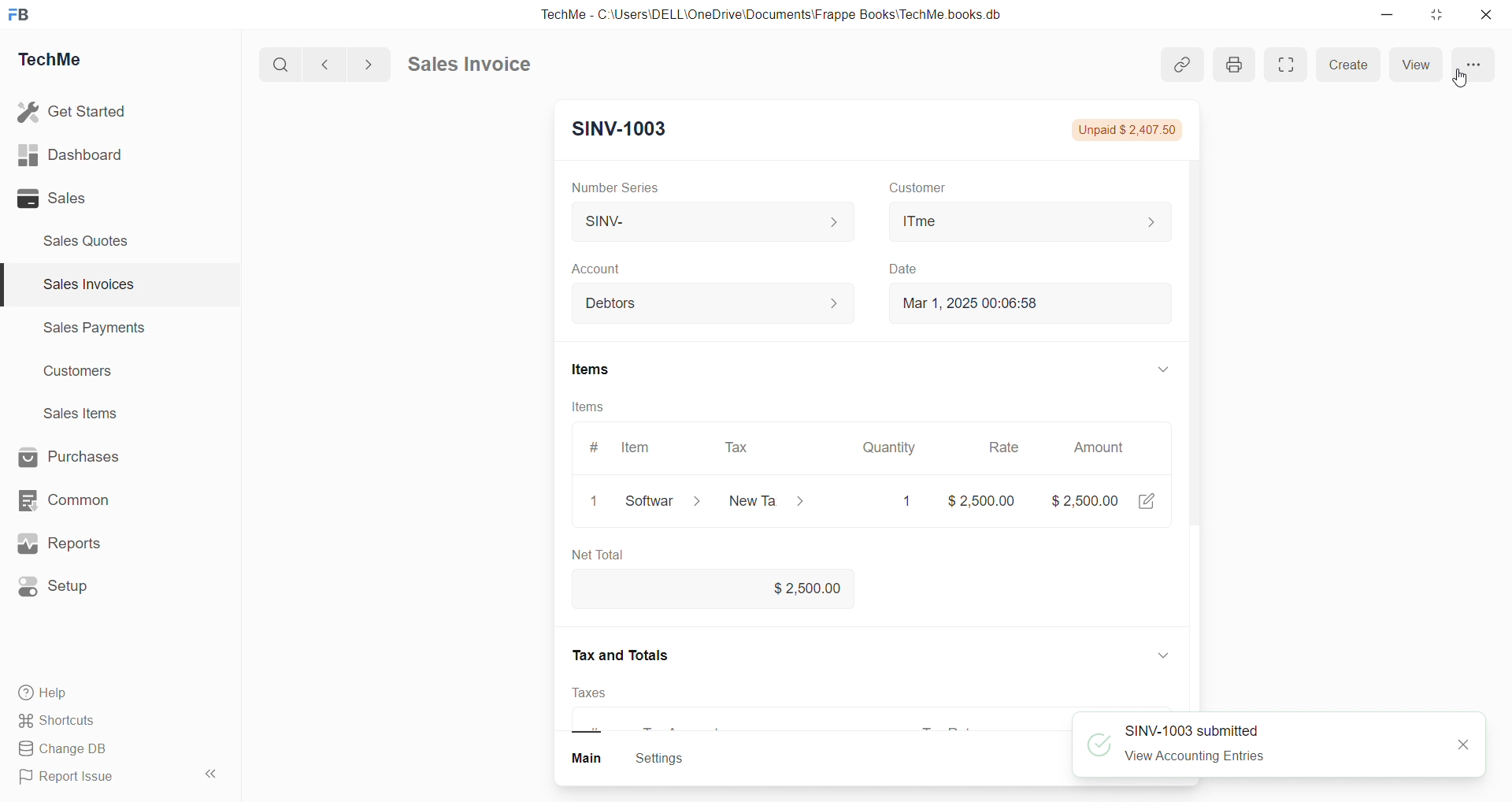 The image size is (1512, 802). Describe the element at coordinates (82, 287) in the screenshot. I see `Sales Invoices` at that location.